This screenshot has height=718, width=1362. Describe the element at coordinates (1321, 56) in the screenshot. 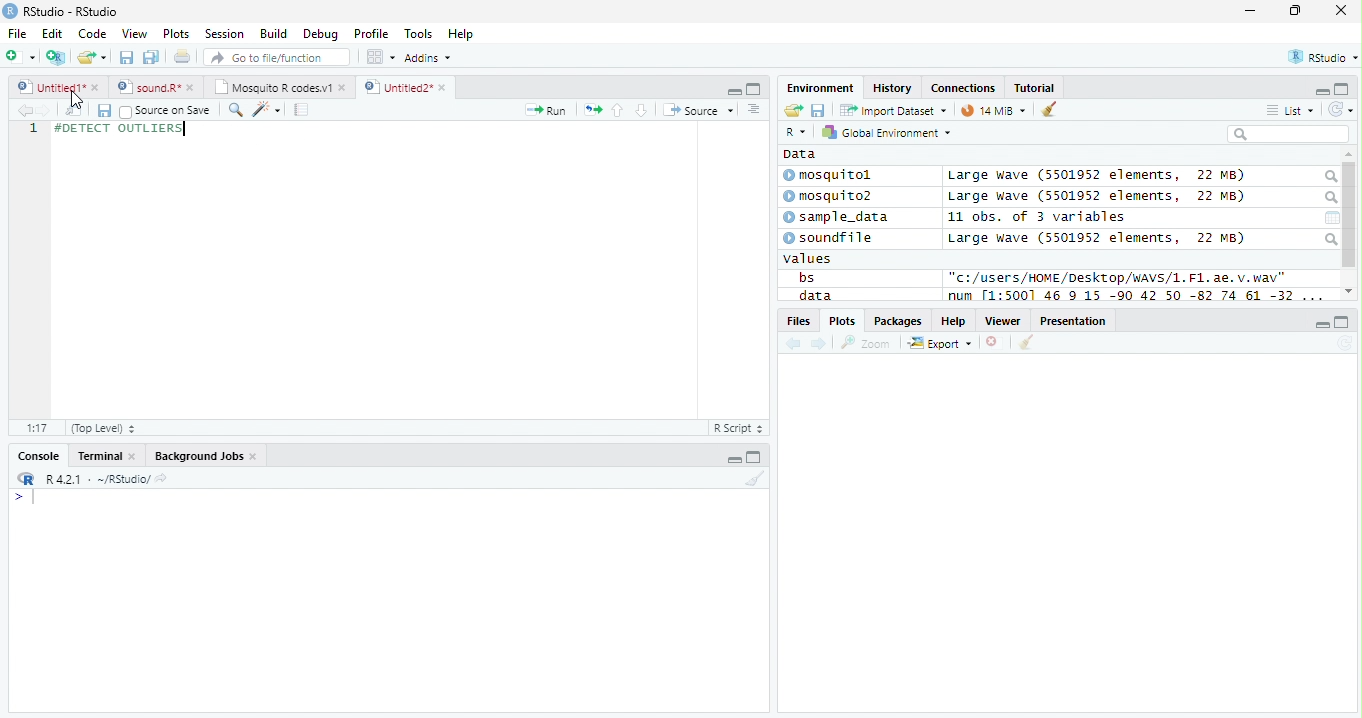

I see `RStudio` at that location.